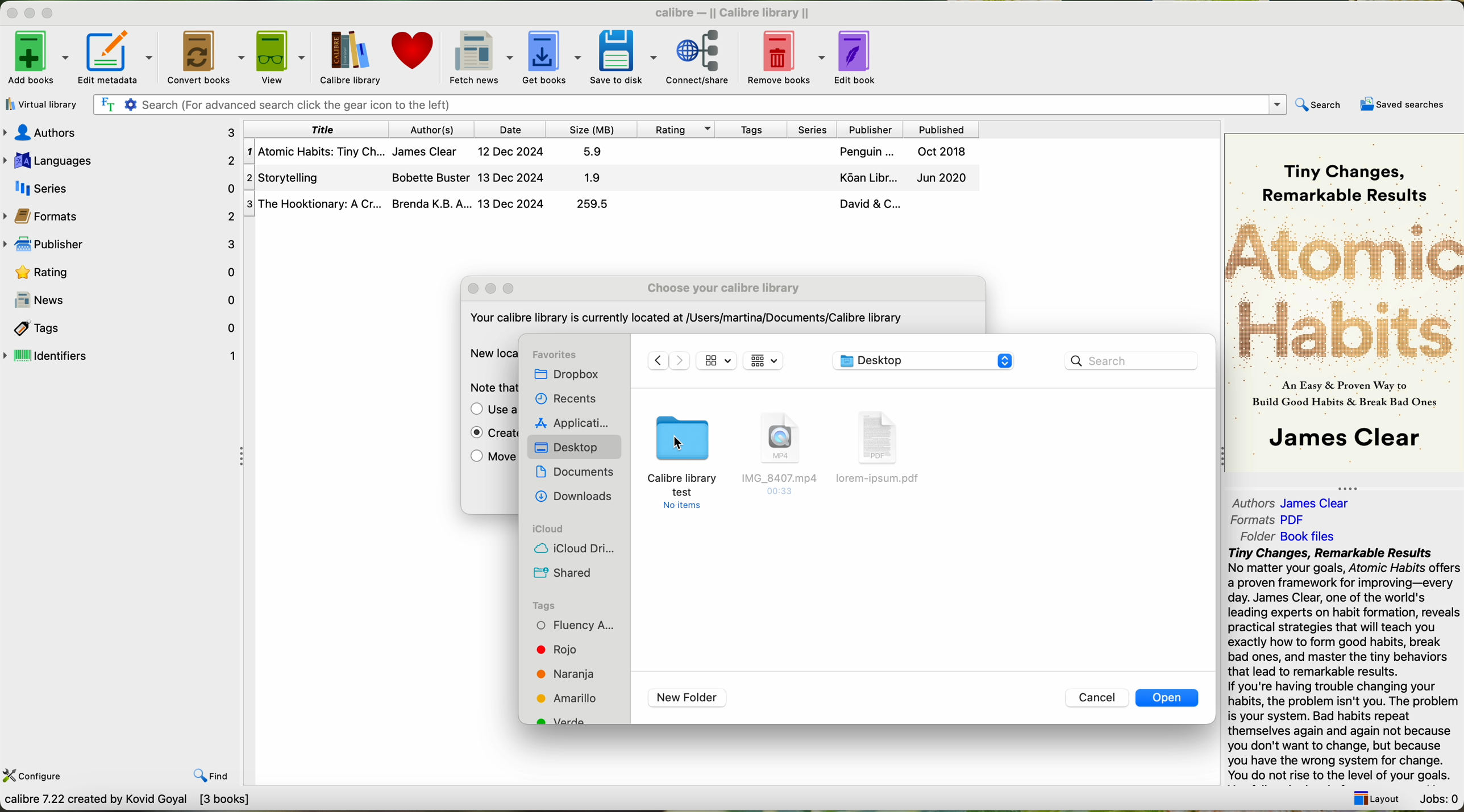 The image size is (1464, 812). What do you see at coordinates (667, 361) in the screenshot?
I see `navigate arrows` at bounding box center [667, 361].